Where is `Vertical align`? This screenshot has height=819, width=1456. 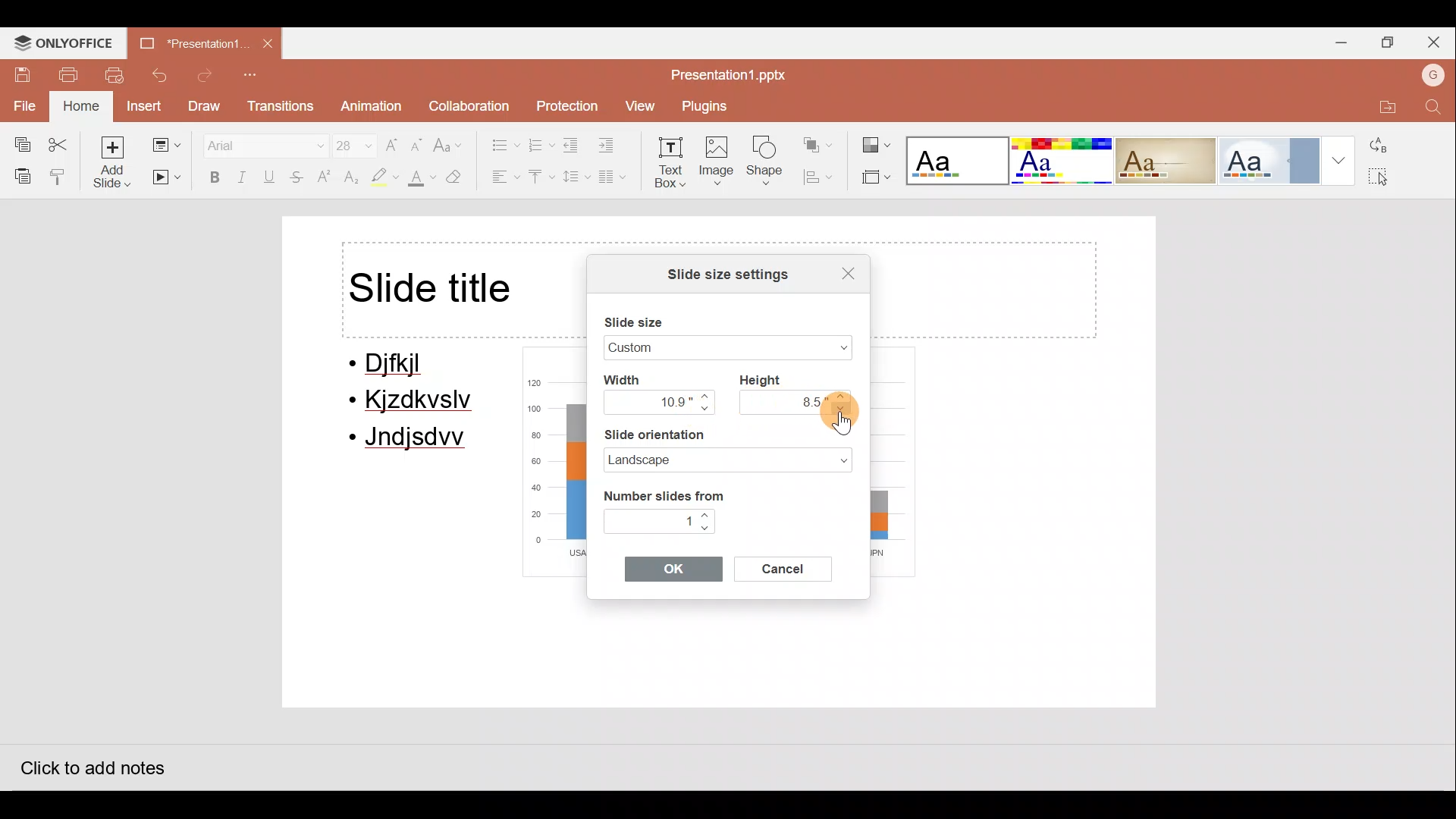
Vertical align is located at coordinates (540, 178).